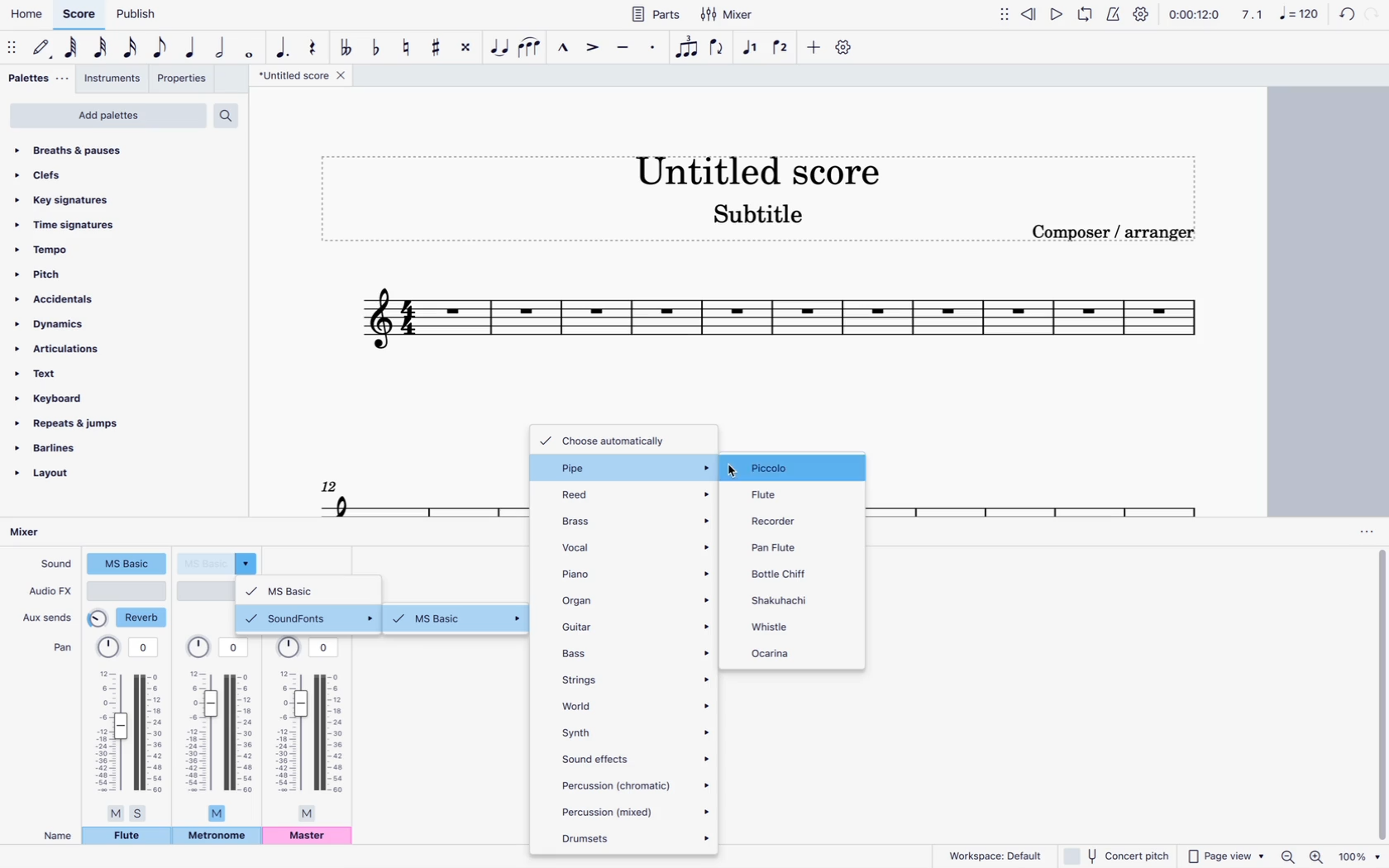 This screenshot has width=1389, height=868. I want to click on audio fx, so click(50, 593).